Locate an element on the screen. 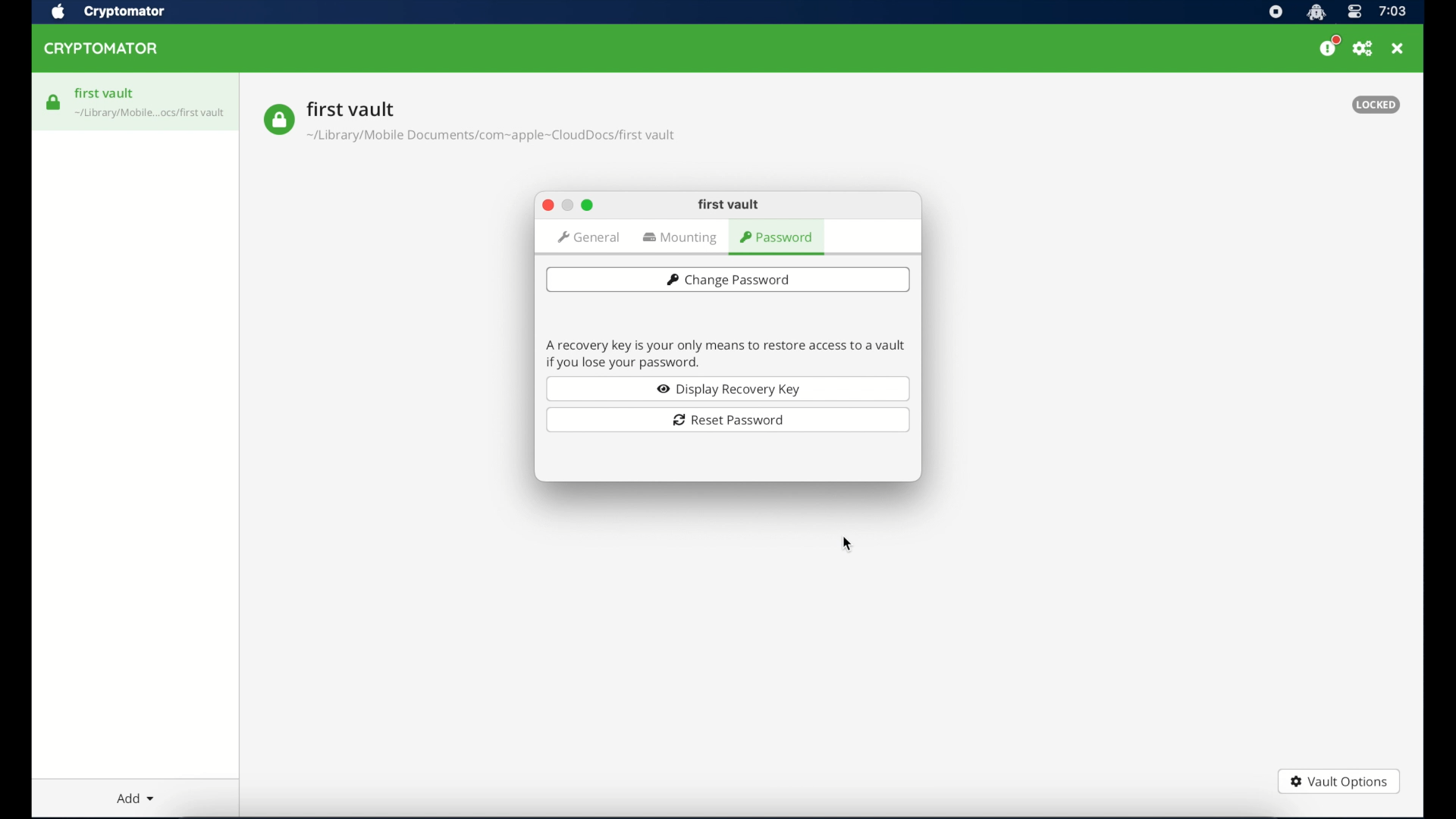 The width and height of the screenshot is (1456, 819). general tab highlighted is located at coordinates (588, 237).